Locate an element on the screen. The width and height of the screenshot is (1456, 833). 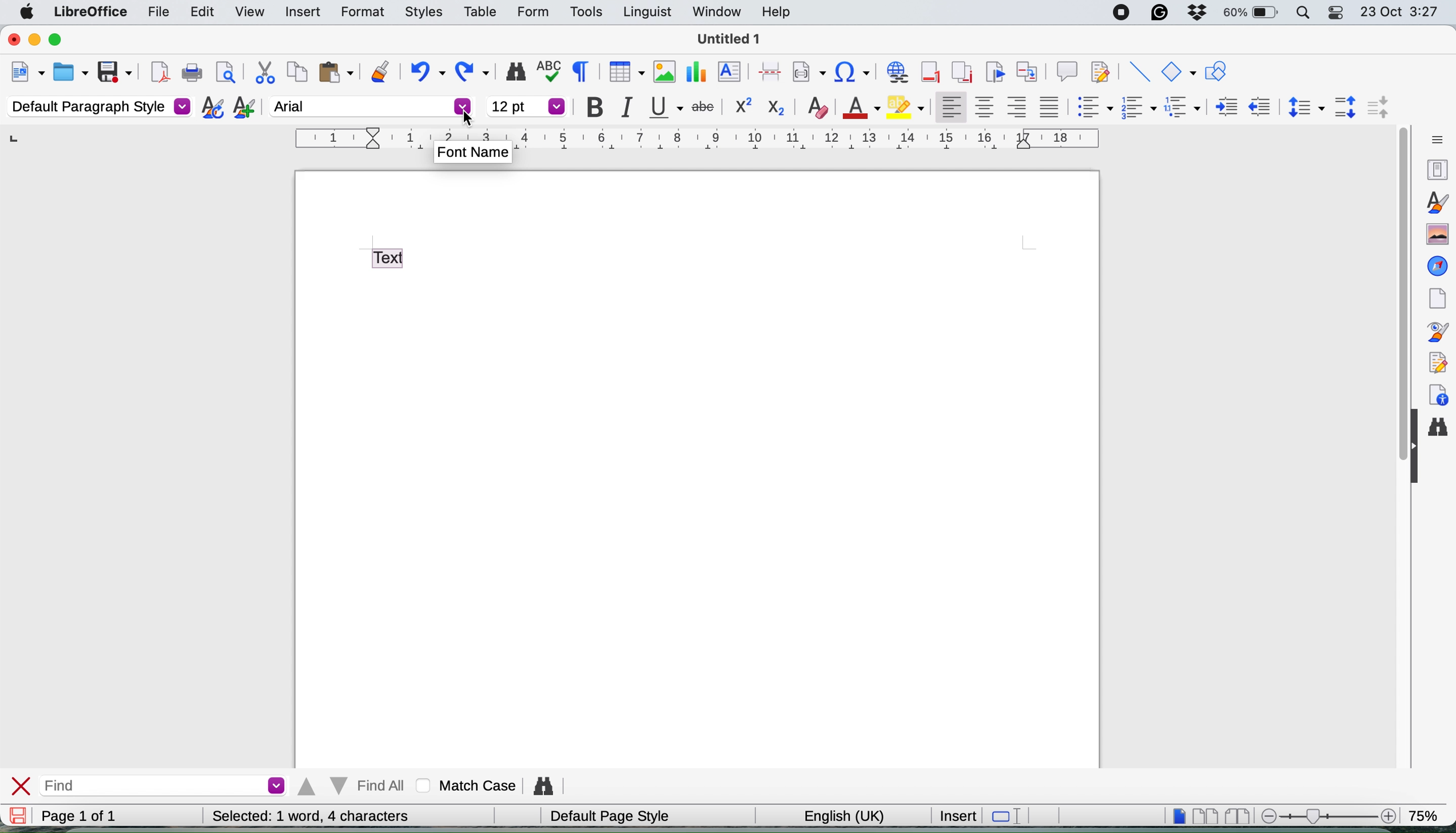
book view is located at coordinates (1235, 815).